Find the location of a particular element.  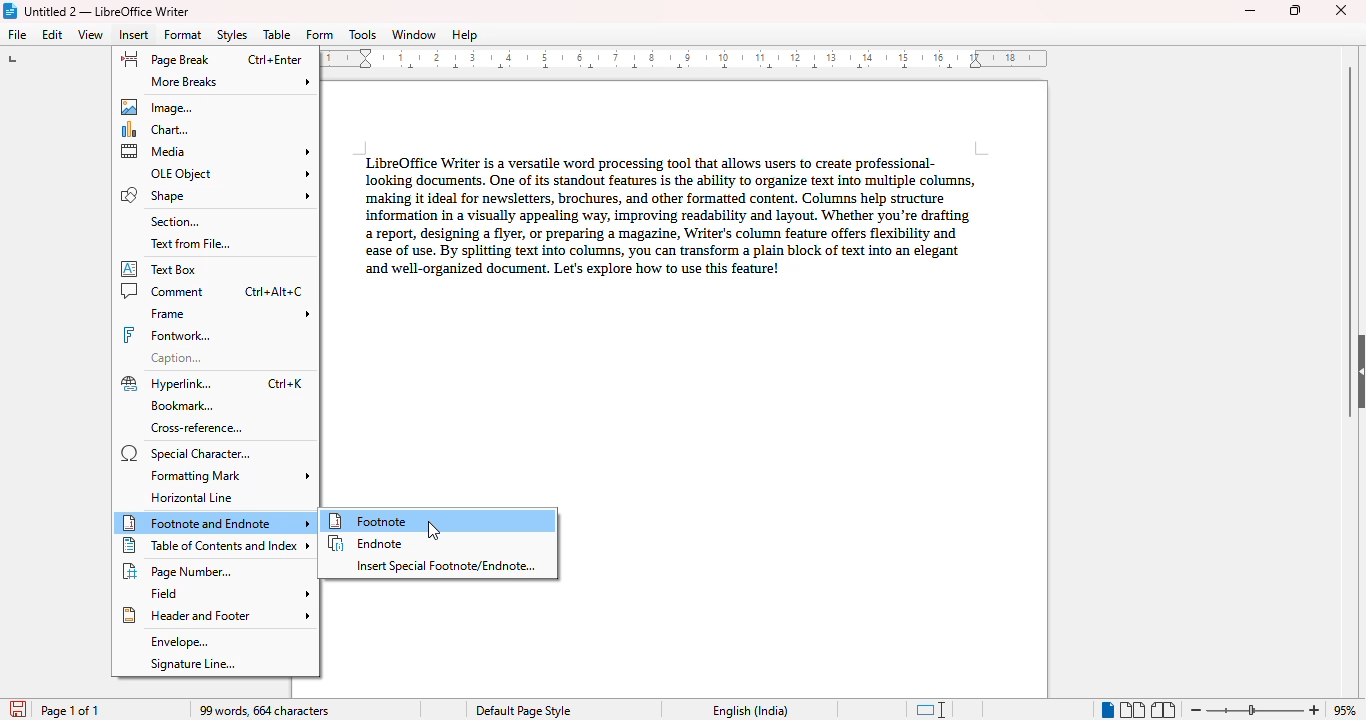

format is located at coordinates (183, 34).